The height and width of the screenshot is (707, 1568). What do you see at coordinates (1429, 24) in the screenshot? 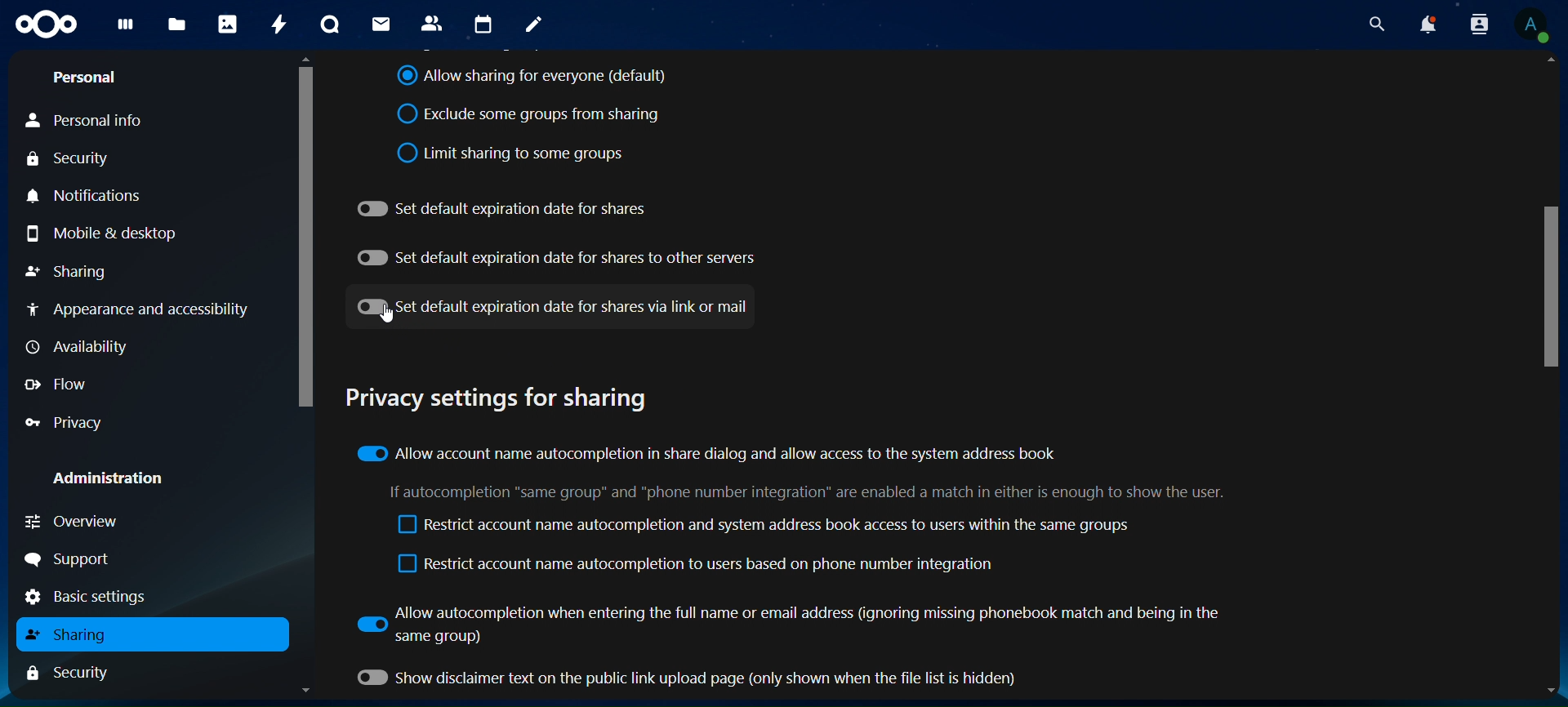
I see `notifications` at bounding box center [1429, 24].